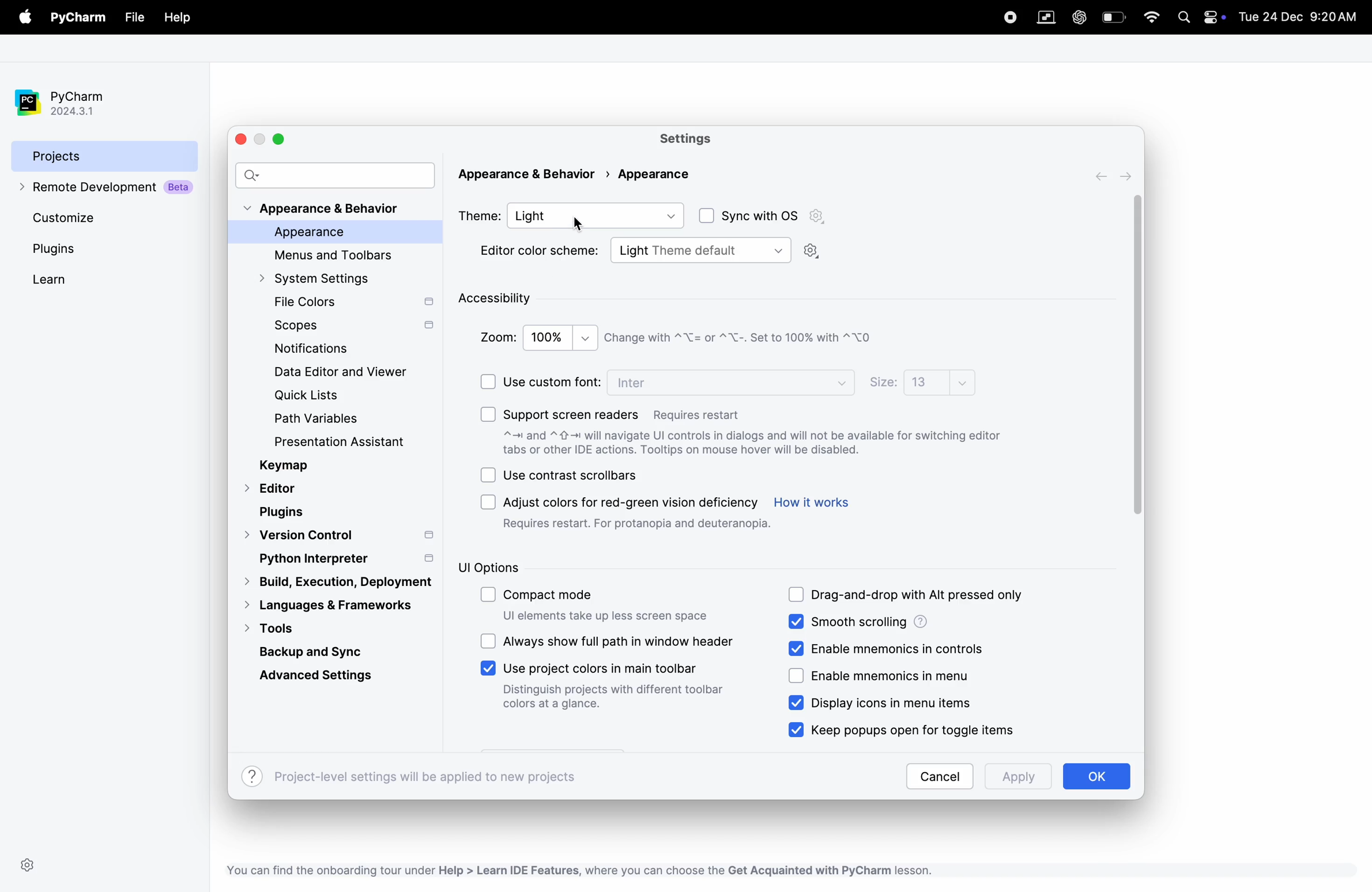 This screenshot has width=1372, height=892. I want to click on backup and synce, so click(326, 650).